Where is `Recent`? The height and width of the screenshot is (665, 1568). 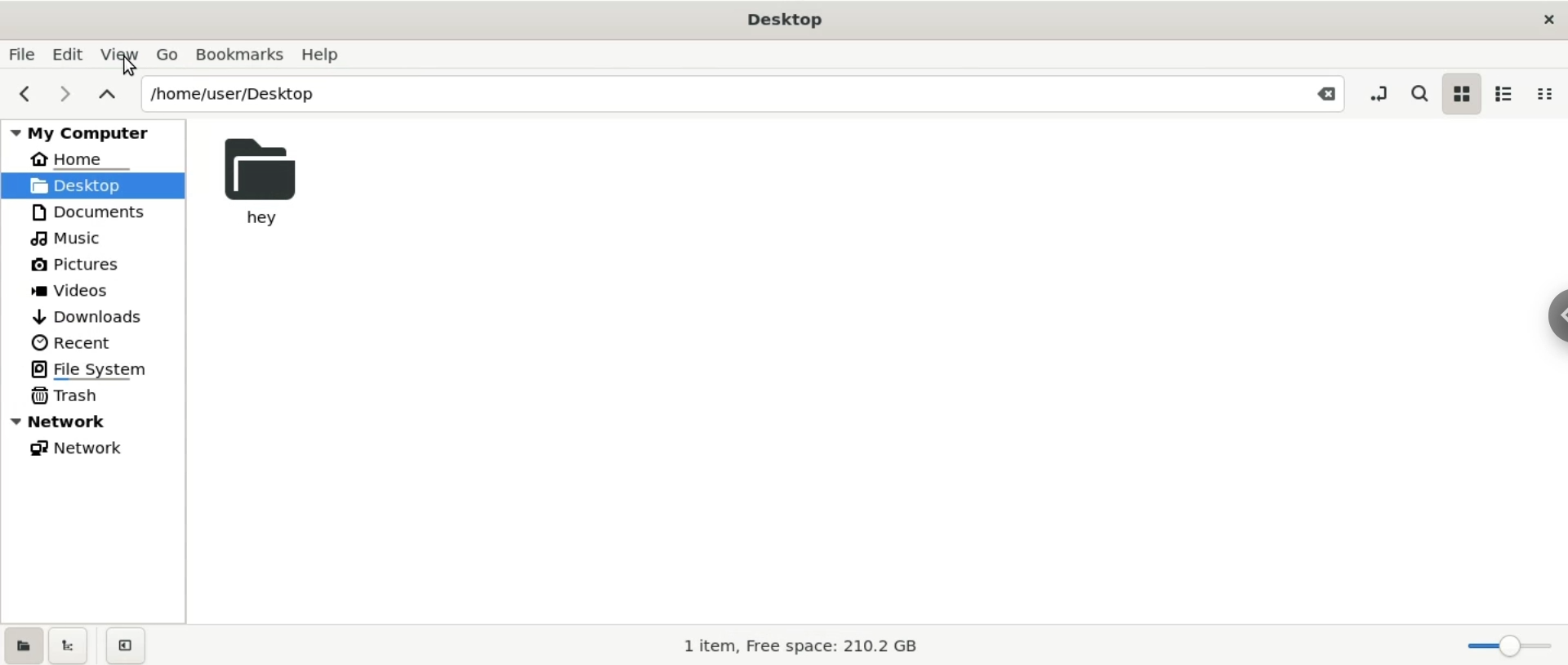 Recent is located at coordinates (77, 342).